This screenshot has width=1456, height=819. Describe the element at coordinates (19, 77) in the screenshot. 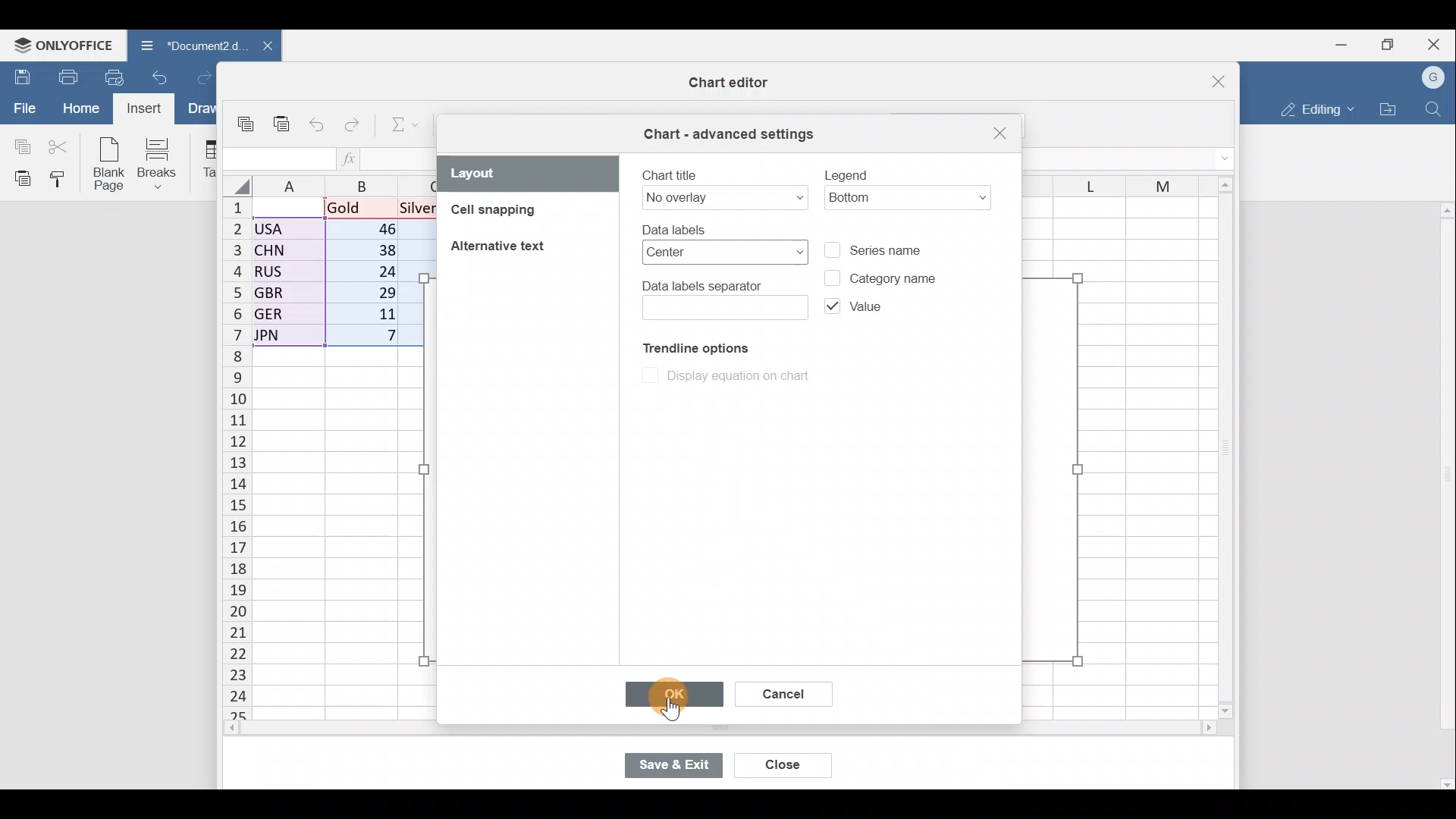

I see `Save` at that location.